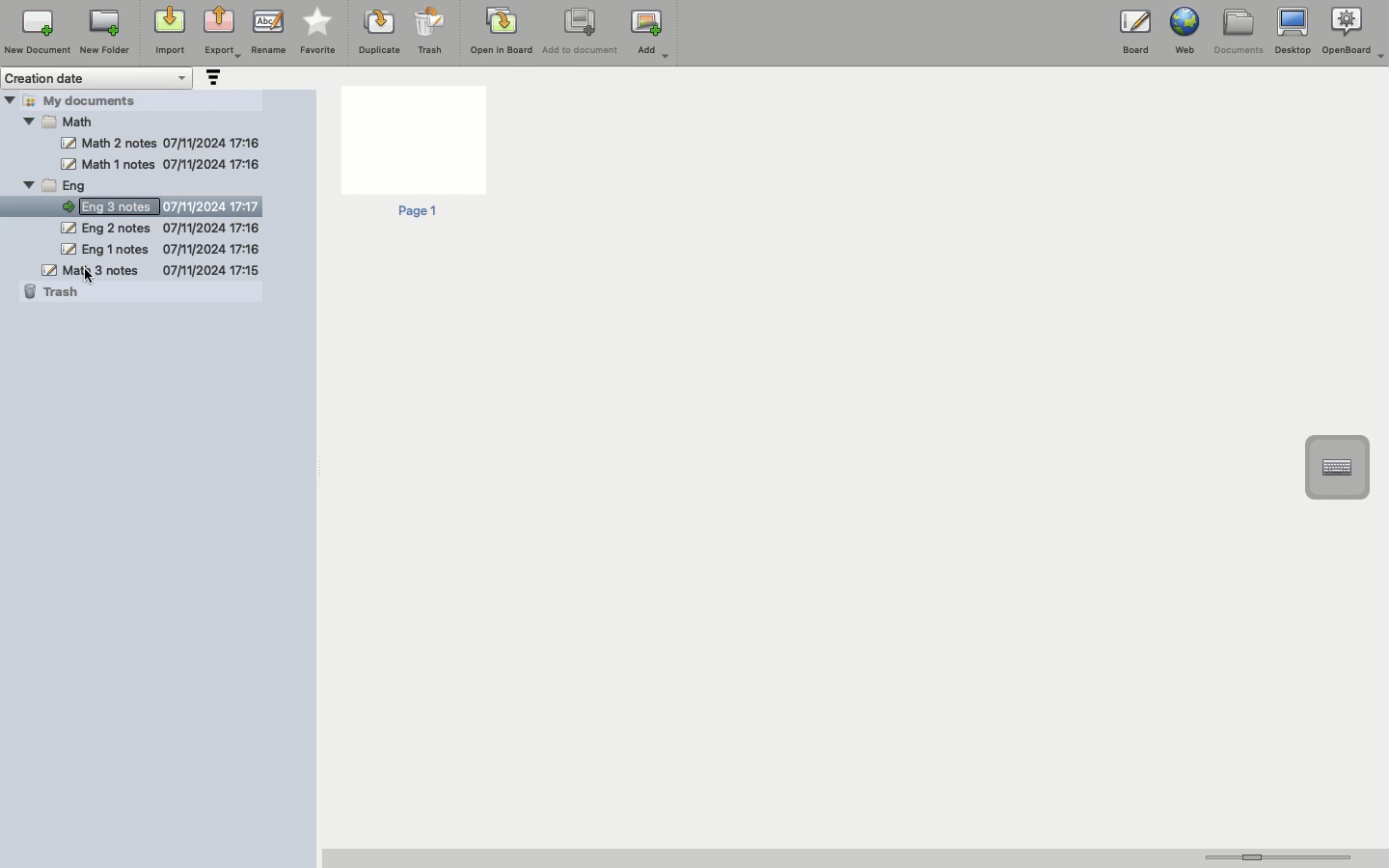  I want to click on Export, so click(222, 34).